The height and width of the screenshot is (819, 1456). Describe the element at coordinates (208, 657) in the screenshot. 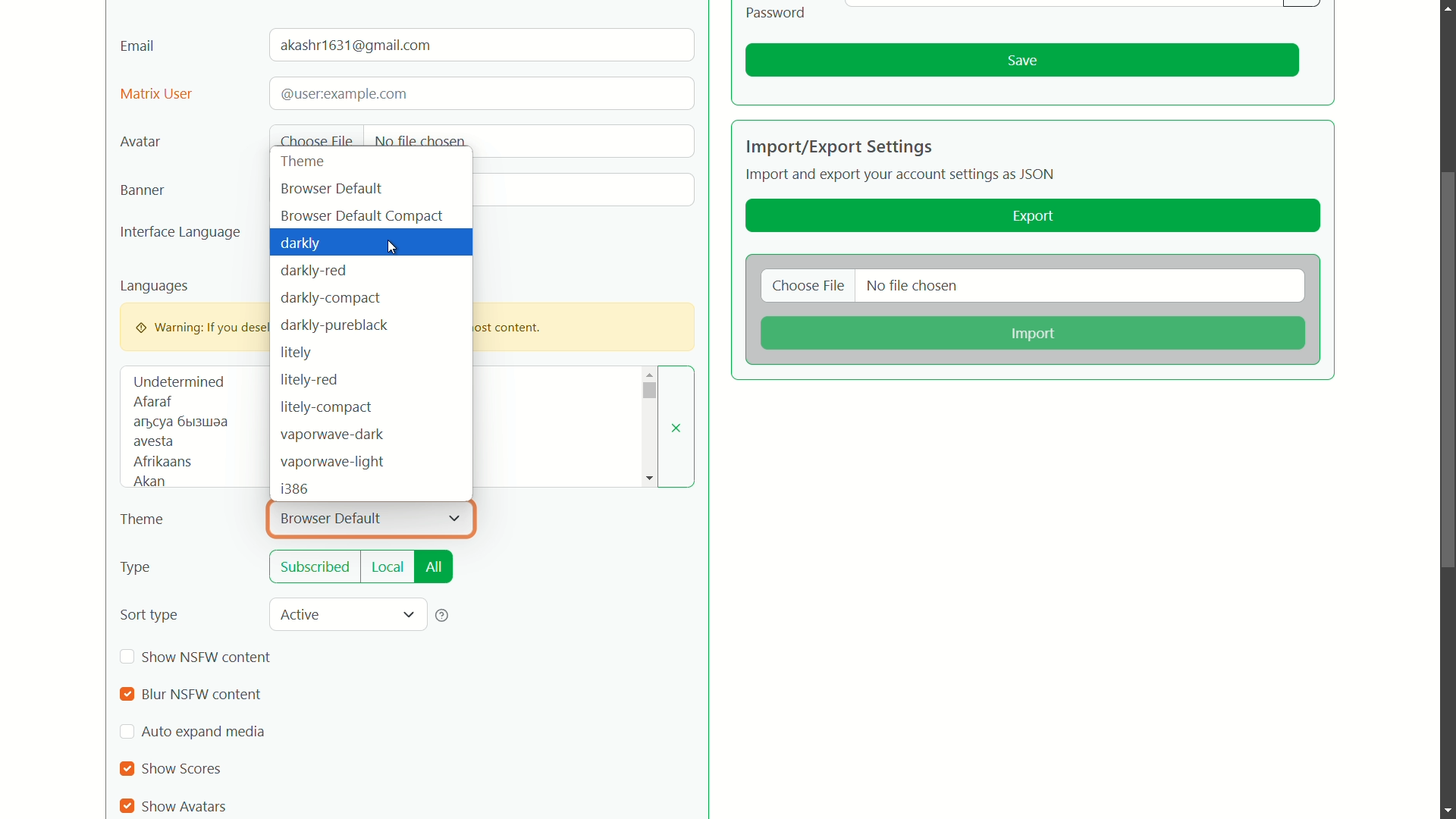

I see `show nsfw content` at that location.